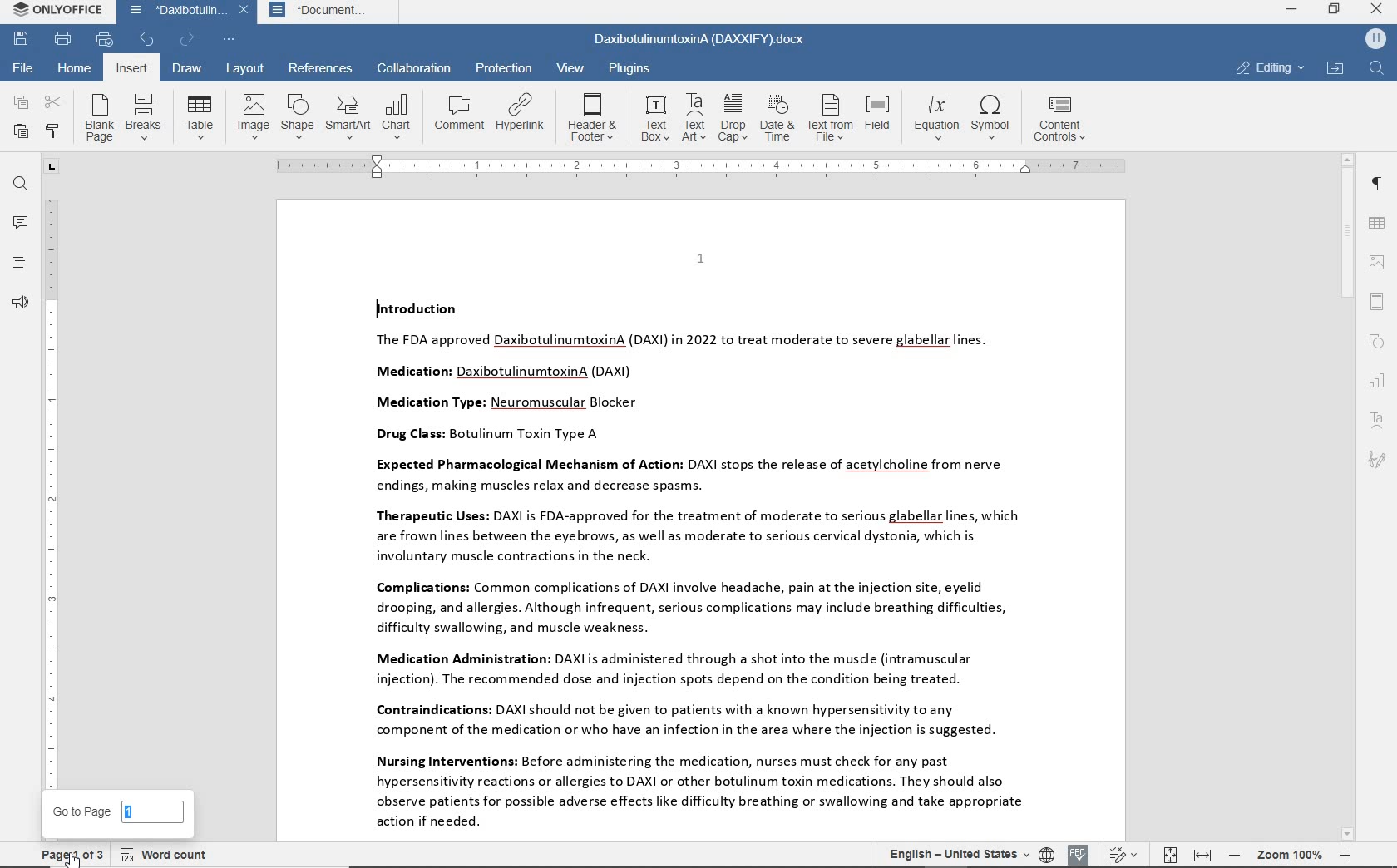  I want to click on undo, so click(148, 41).